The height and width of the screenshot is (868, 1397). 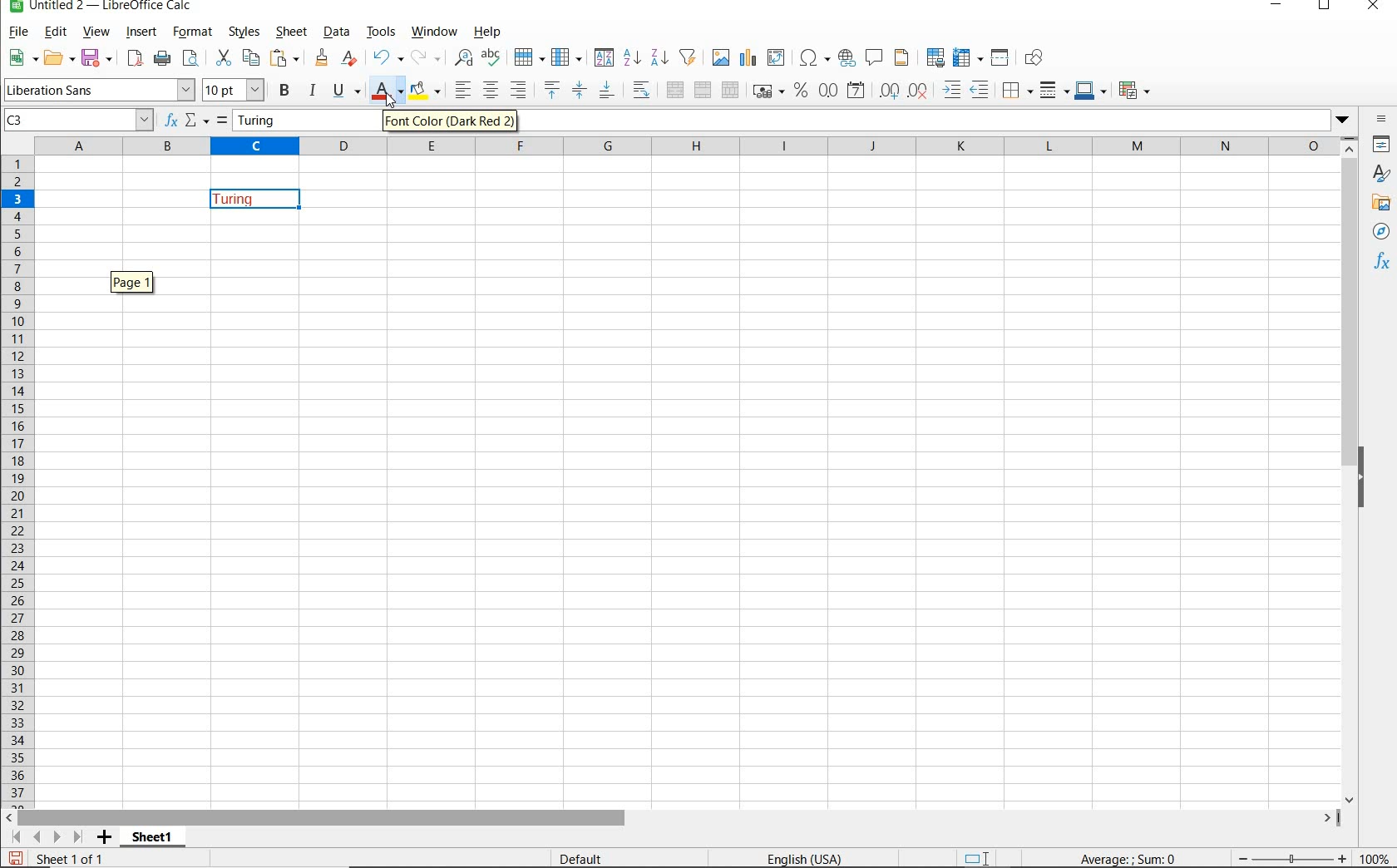 What do you see at coordinates (293, 33) in the screenshot?
I see `SHEET` at bounding box center [293, 33].